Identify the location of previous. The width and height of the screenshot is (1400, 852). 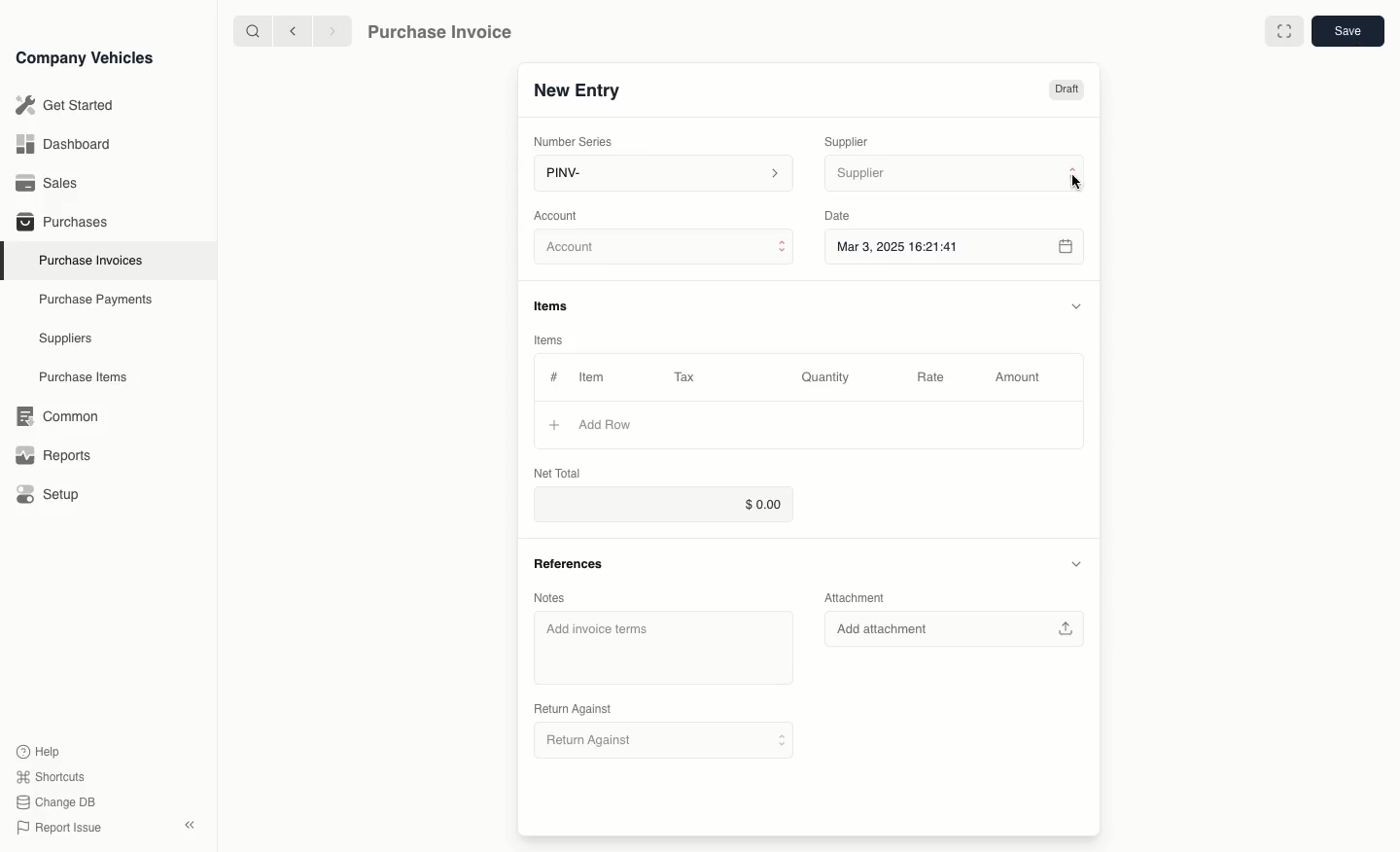
(291, 30).